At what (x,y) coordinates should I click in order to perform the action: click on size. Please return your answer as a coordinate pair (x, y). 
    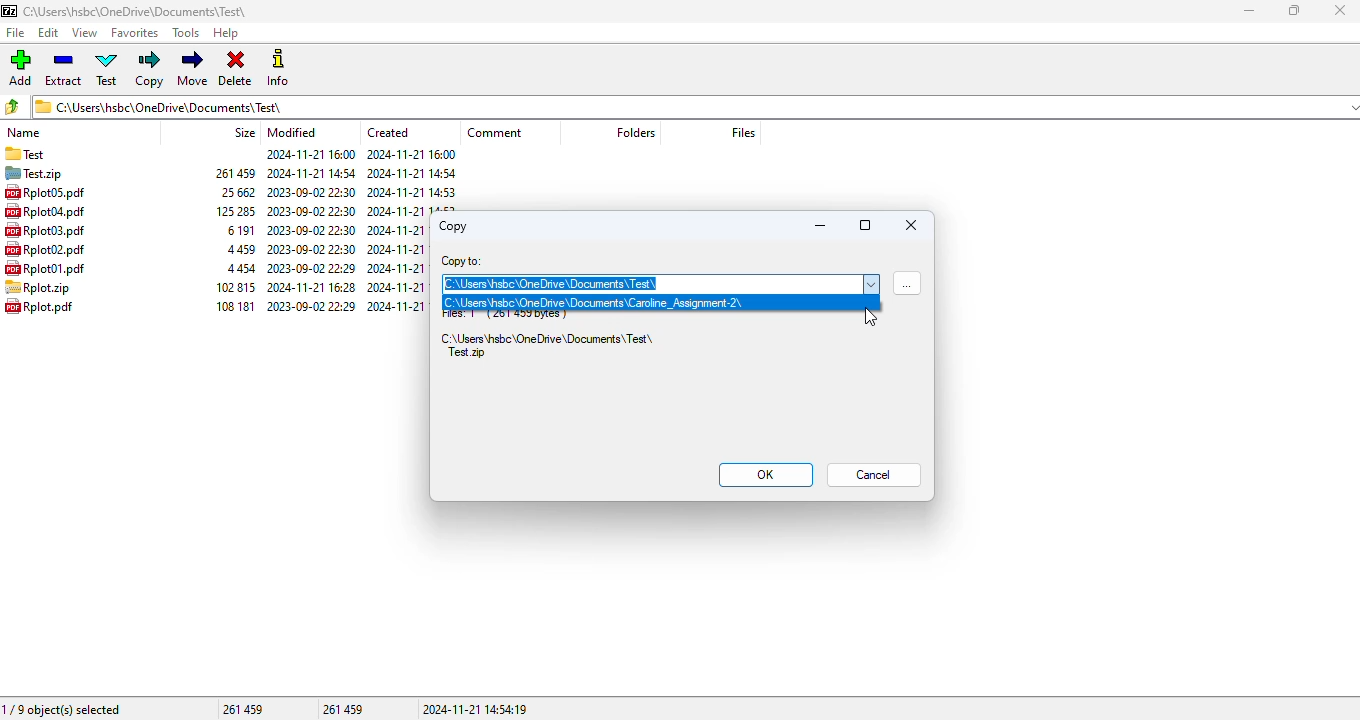
    Looking at the image, I should click on (232, 173).